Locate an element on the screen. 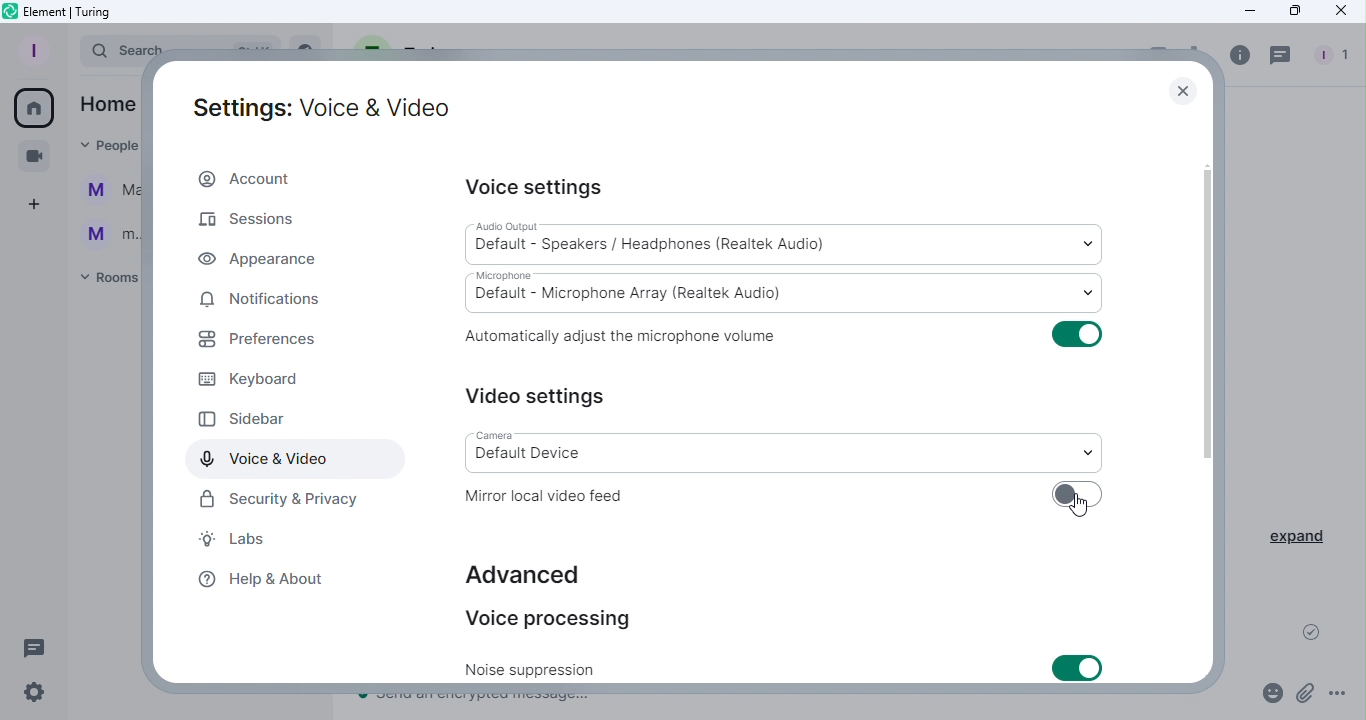  Voice and video is located at coordinates (279, 459).